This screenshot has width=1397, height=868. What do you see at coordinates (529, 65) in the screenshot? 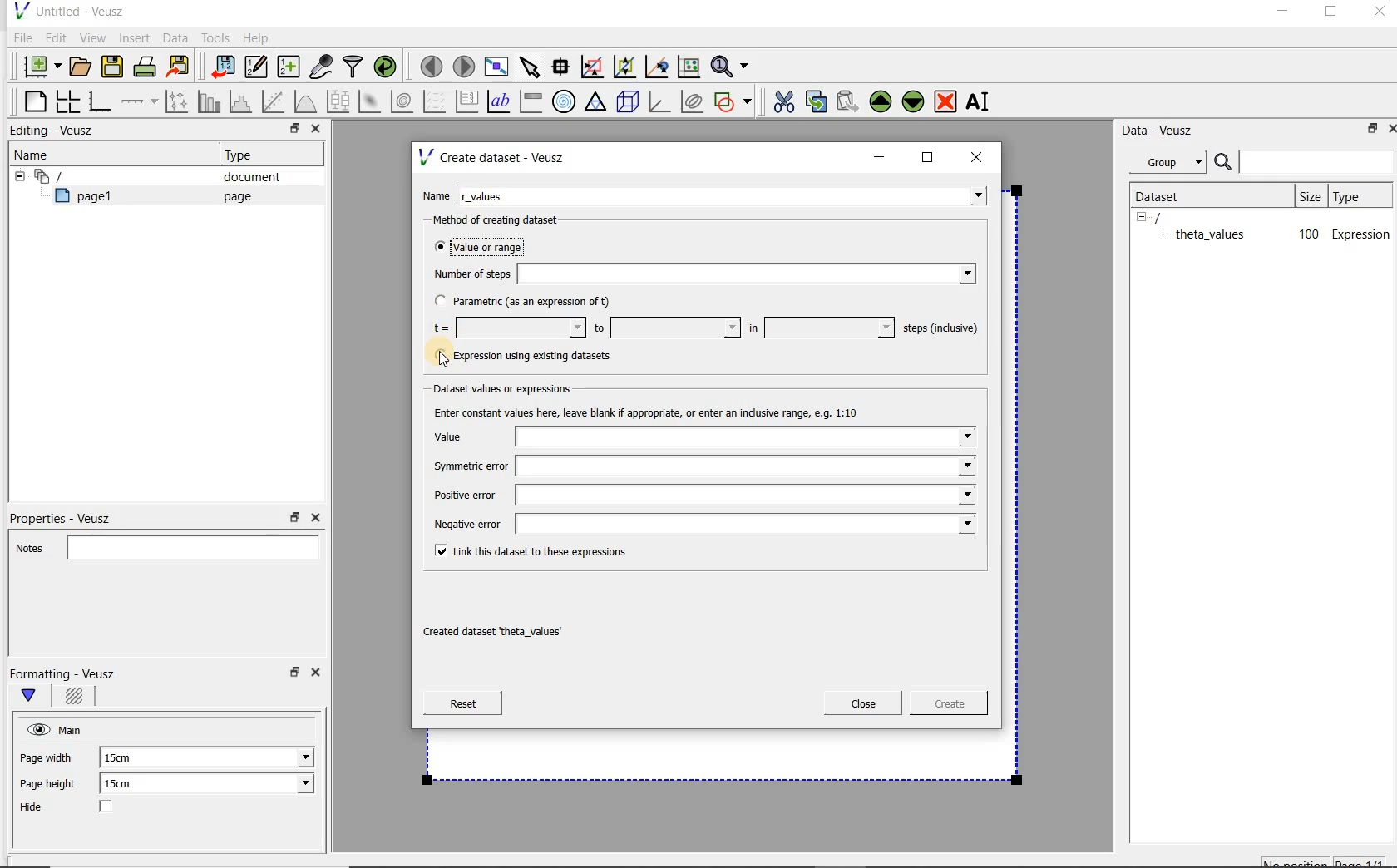
I see `select items from the graph or scroll` at bounding box center [529, 65].